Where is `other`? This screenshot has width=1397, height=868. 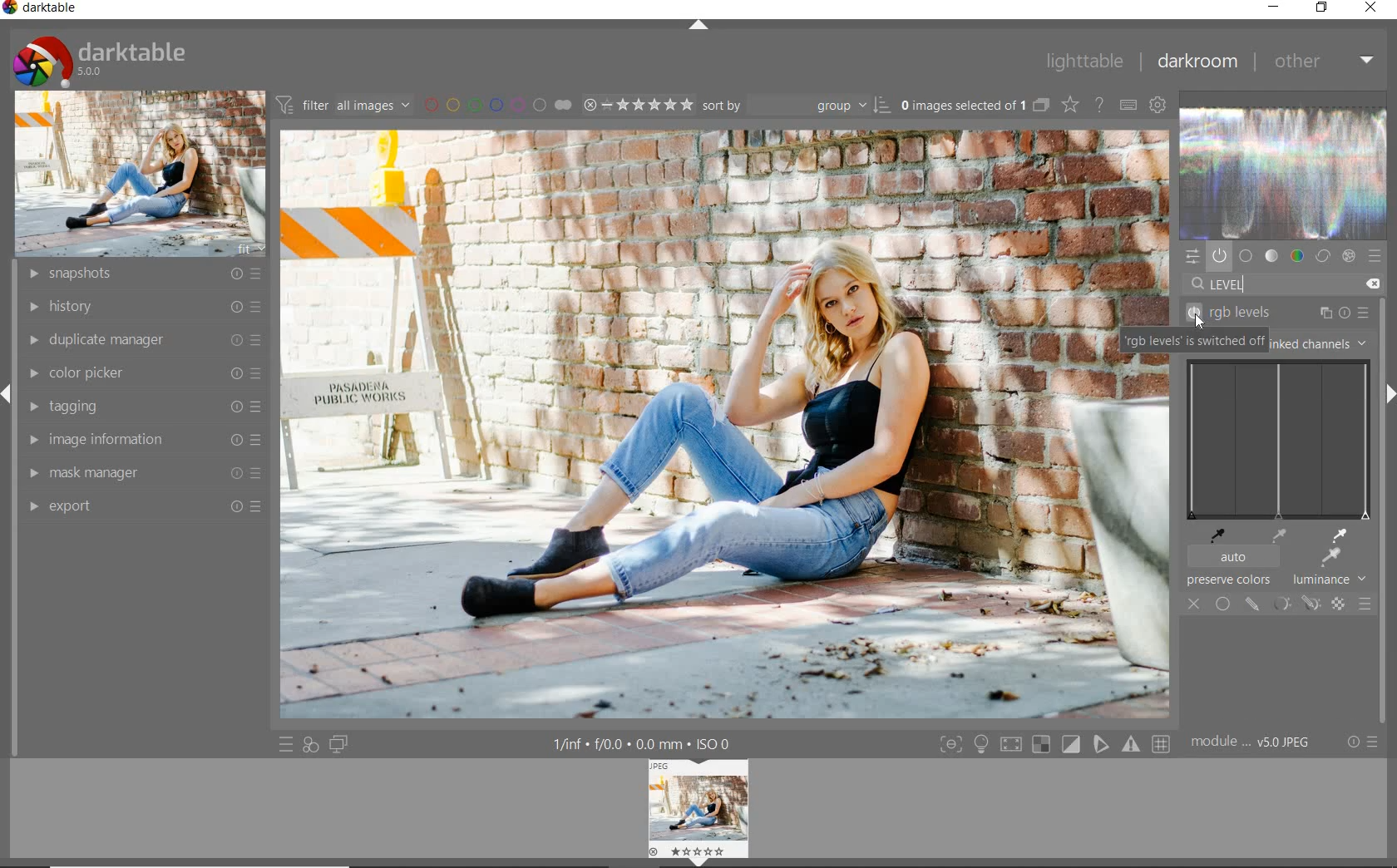
other is located at coordinates (1323, 62).